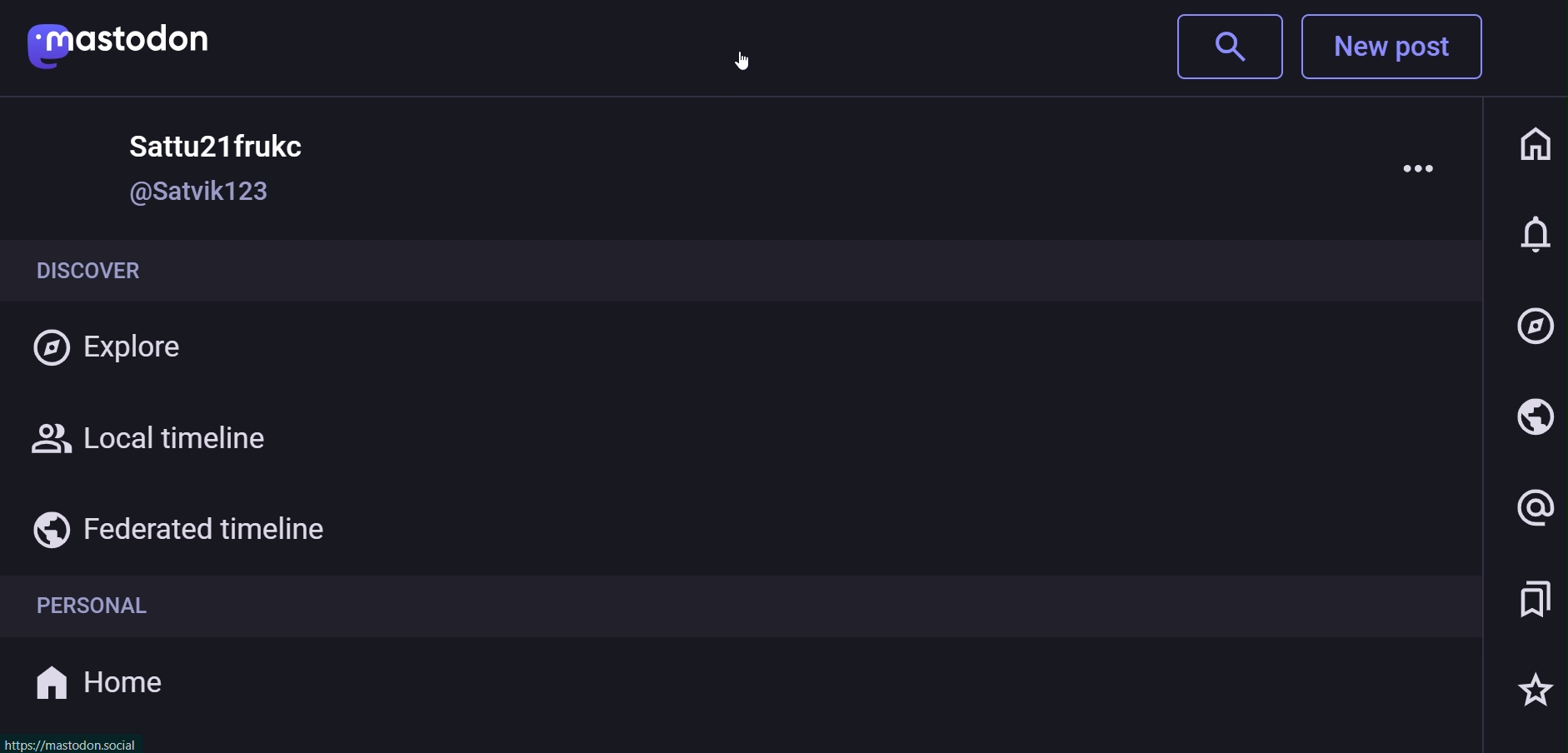 This screenshot has width=1568, height=753. What do you see at coordinates (1400, 49) in the screenshot?
I see `new post` at bounding box center [1400, 49].